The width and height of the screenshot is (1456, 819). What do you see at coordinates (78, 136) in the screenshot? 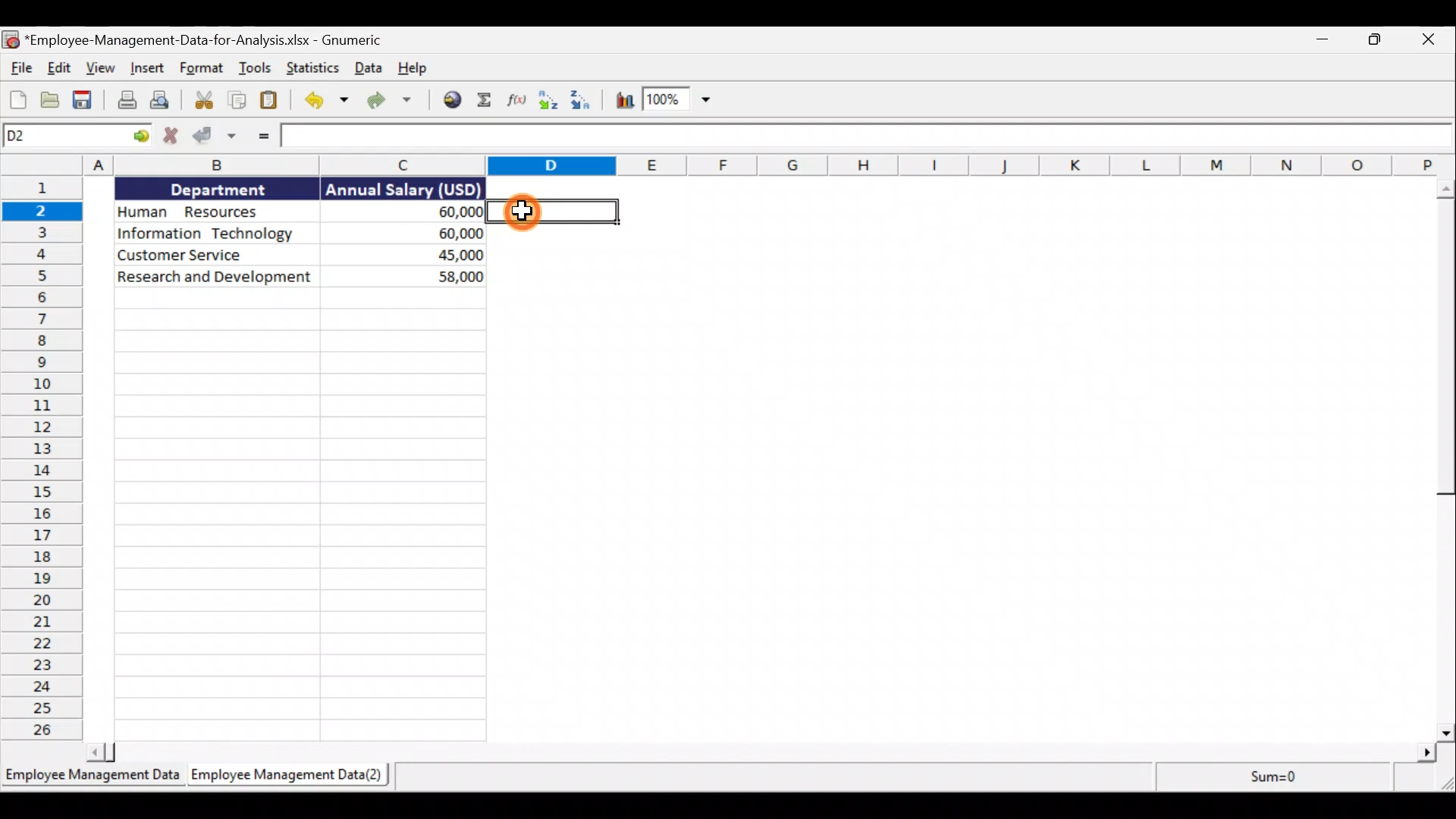
I see `Cell name` at bounding box center [78, 136].